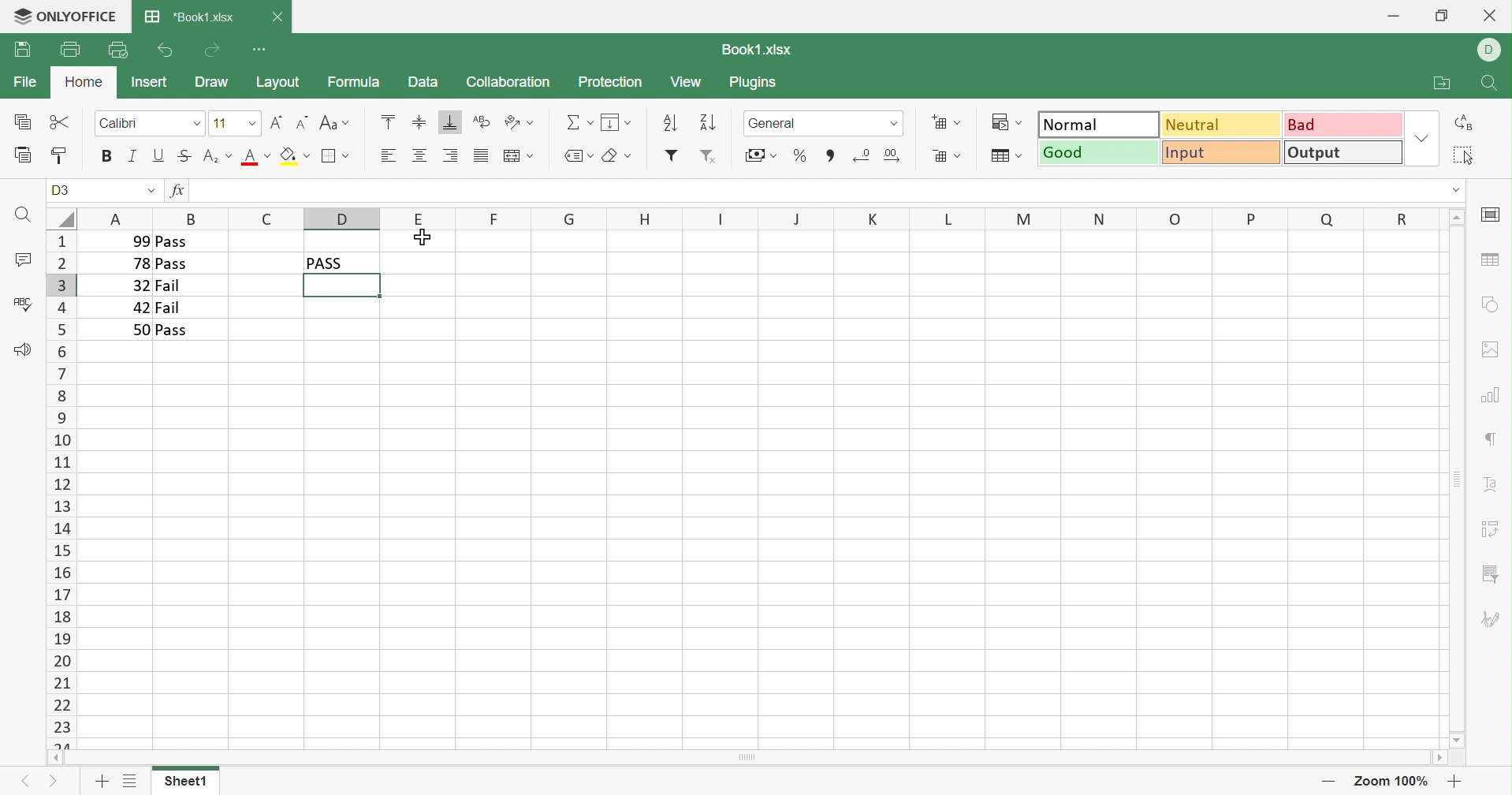 This screenshot has height=795, width=1512. I want to click on Align bottom, so click(450, 123).